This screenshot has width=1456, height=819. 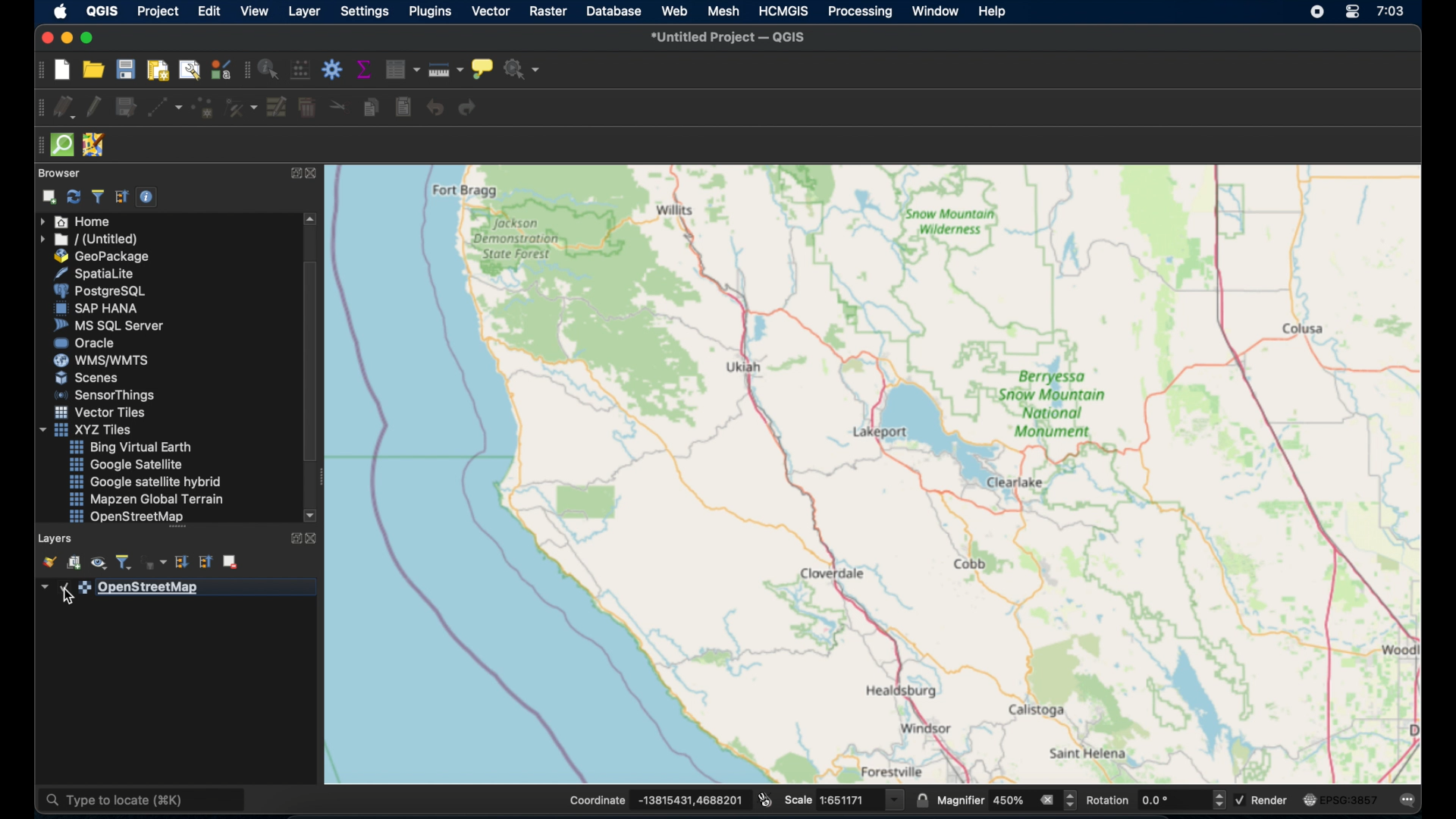 What do you see at coordinates (86, 343) in the screenshot?
I see `oracle` at bounding box center [86, 343].